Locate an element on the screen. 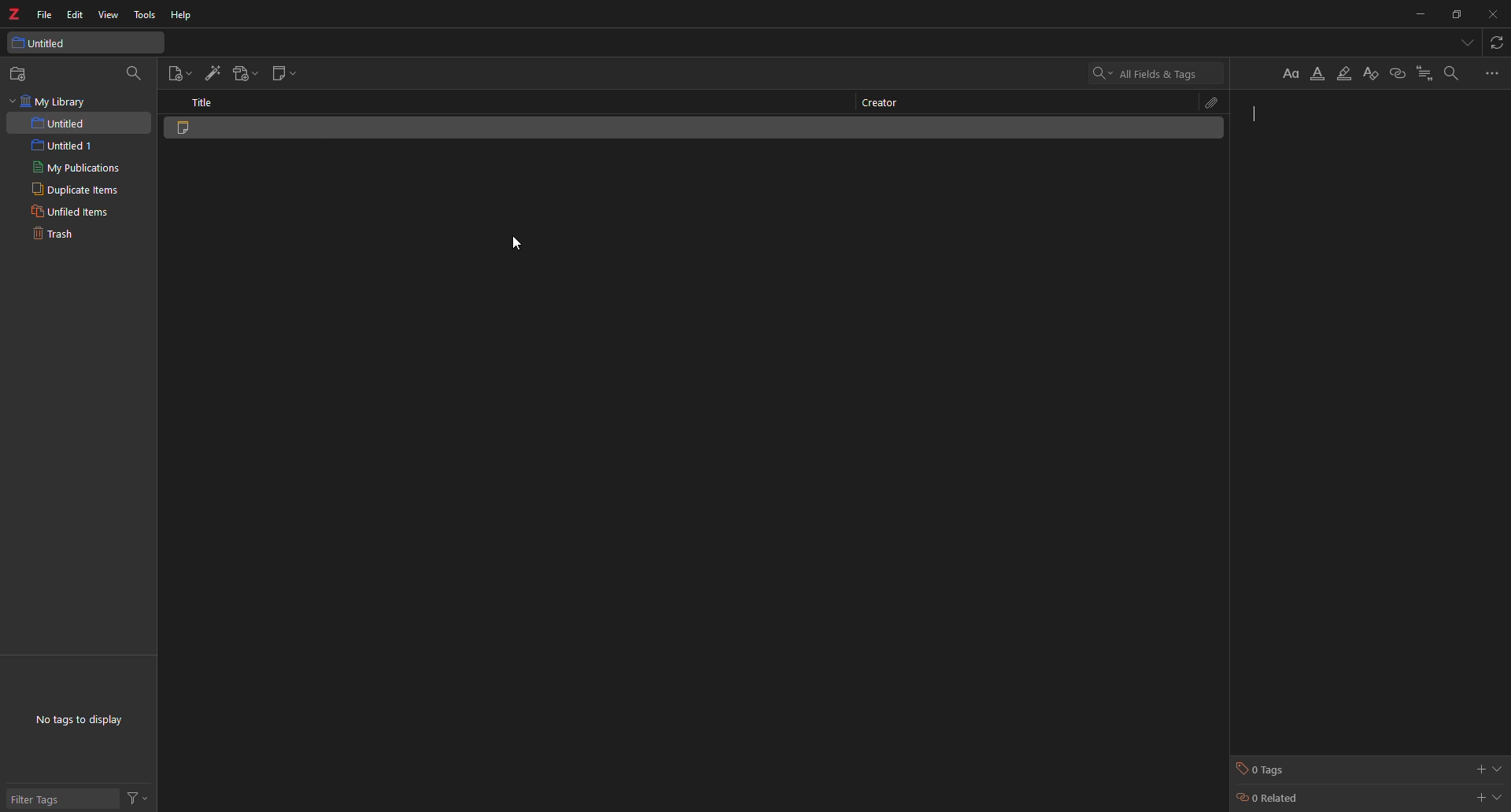 This screenshot has height=812, width=1511. unfiled items is located at coordinates (68, 211).